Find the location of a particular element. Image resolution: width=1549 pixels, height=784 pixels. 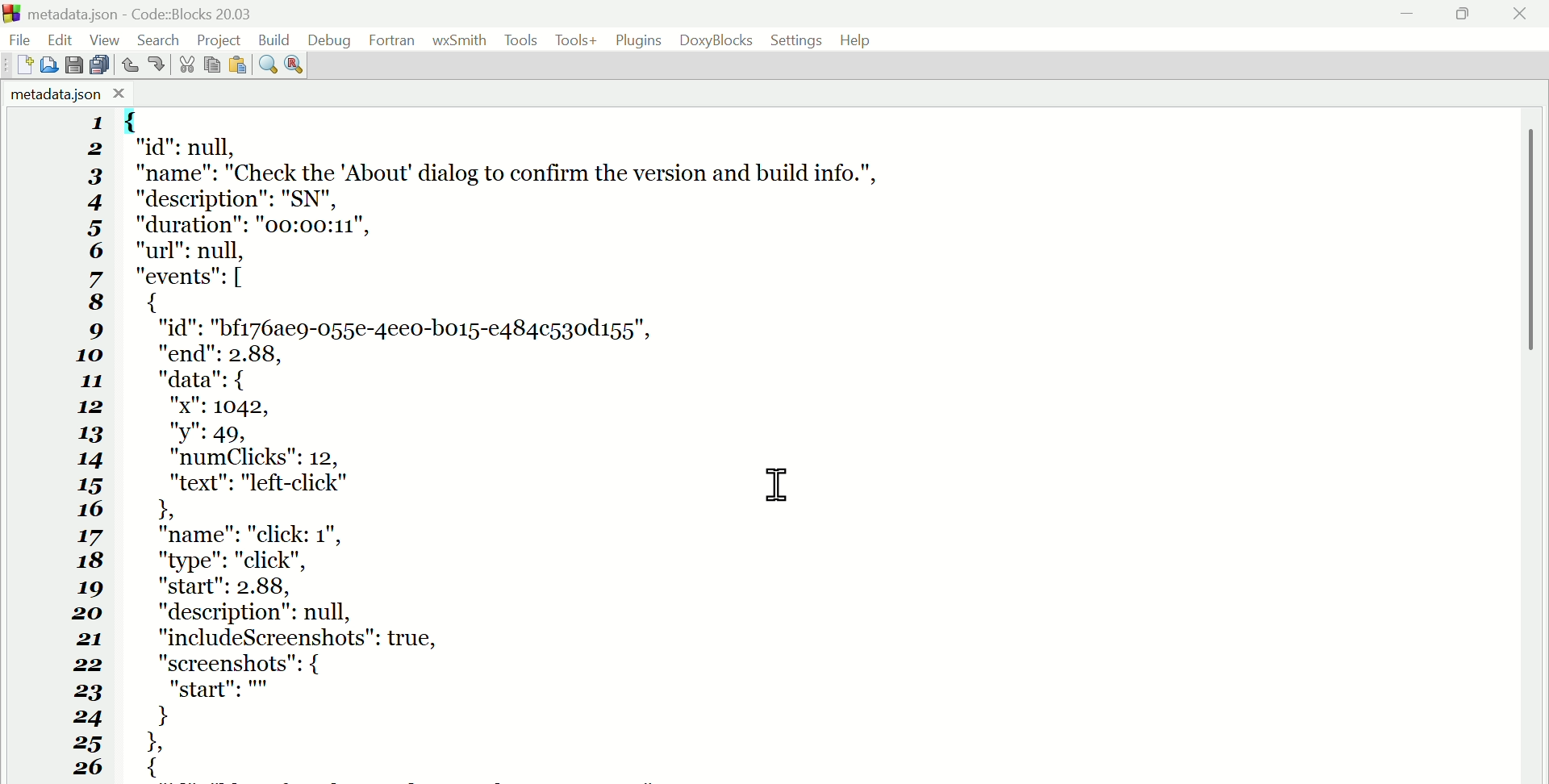

{
"id": null,
"name": "Check the "About dialog to confirm the version and build info.",
"description": "SN",
"duration": "00:00:11",
"url": null,
"events": [
{
"id": "bf176ae9-055e-4ee0-bo15-e484c530d155",
"end": 2.88,
"data": {
"x": 1042,
"y": 49,
"numClicks": 12,
"text": "left-click" I
1
"name": "click: 1",
"type": "click",
"start": 2.88,
"description": null,
"includeScreenshots": true,
"screenshots": {
"start":
}
1
{ is located at coordinates (546, 444).